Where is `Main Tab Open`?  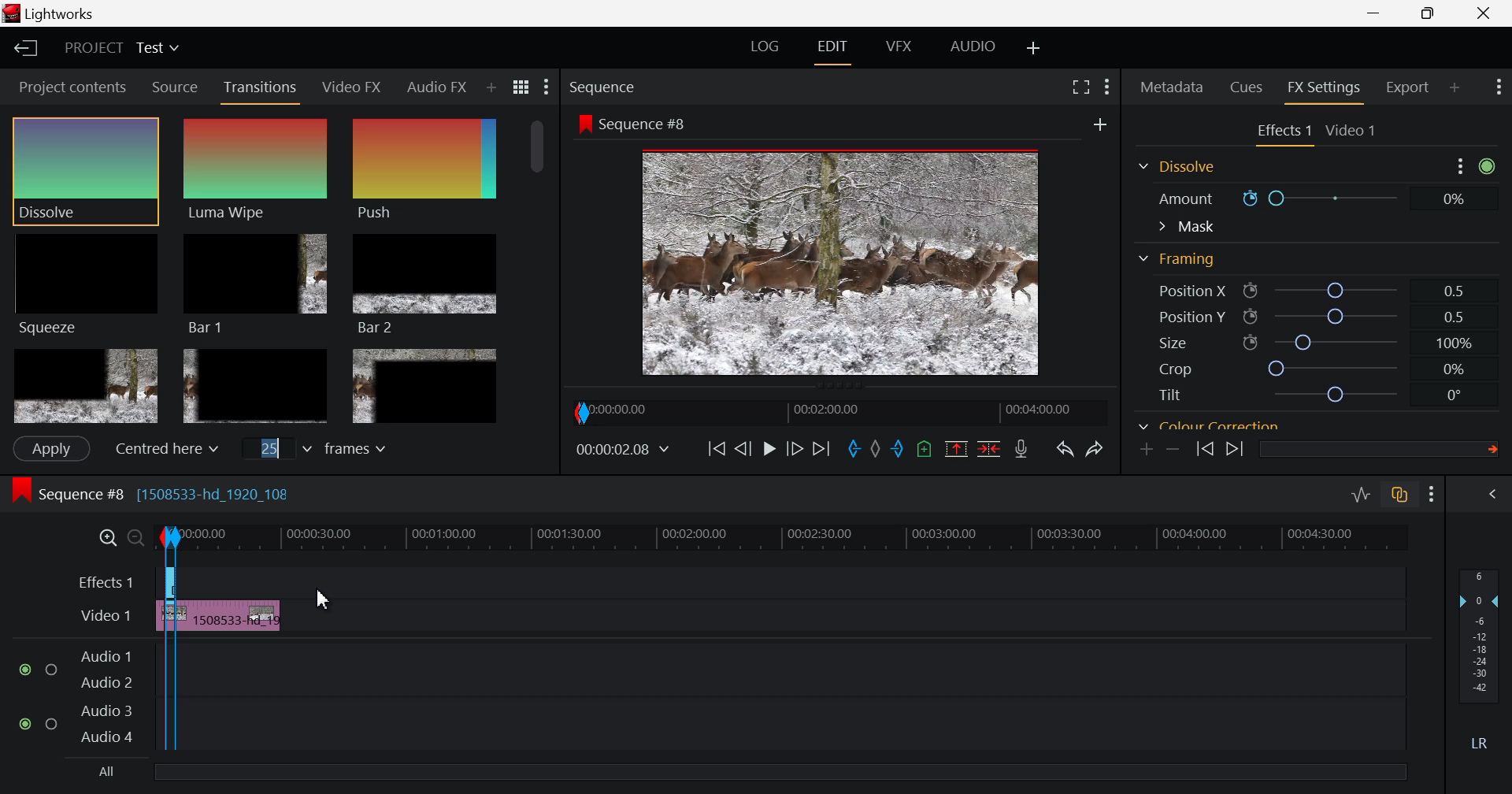
Main Tab Open is located at coordinates (1242, 369).